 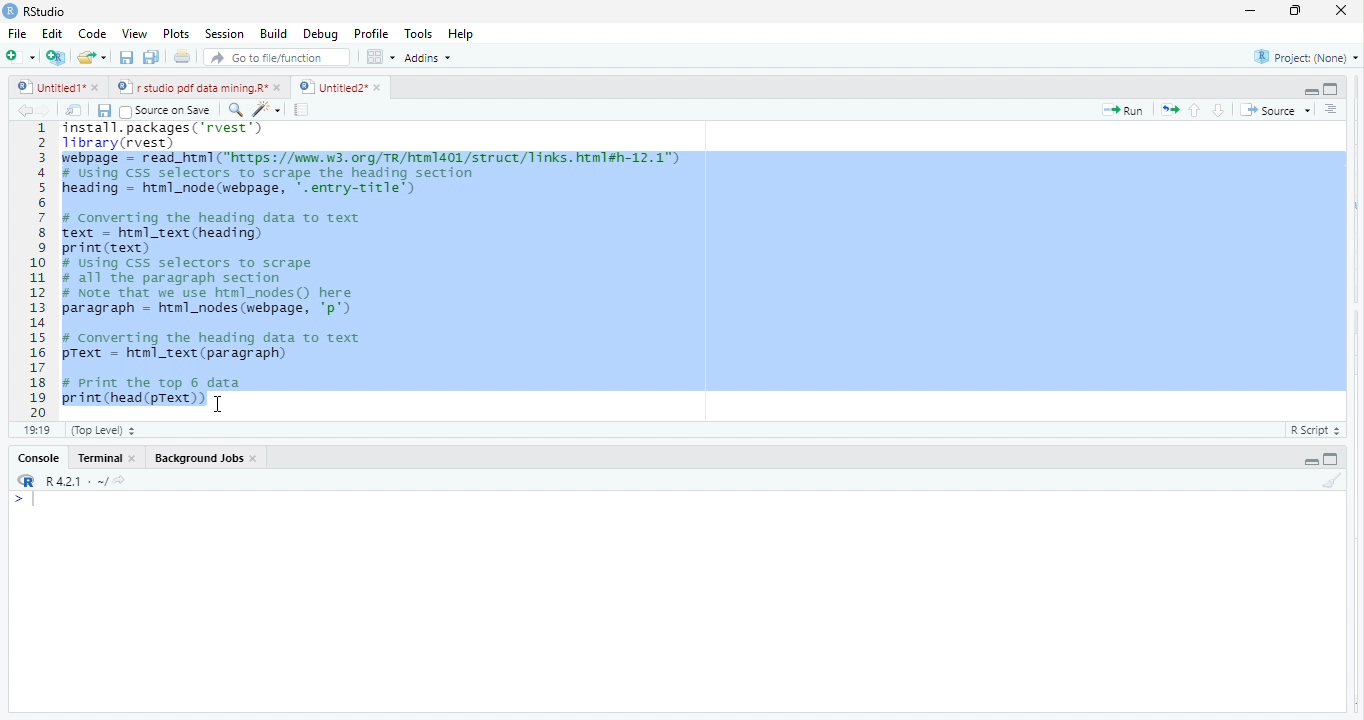 I want to click on Source on Save, so click(x=168, y=111).